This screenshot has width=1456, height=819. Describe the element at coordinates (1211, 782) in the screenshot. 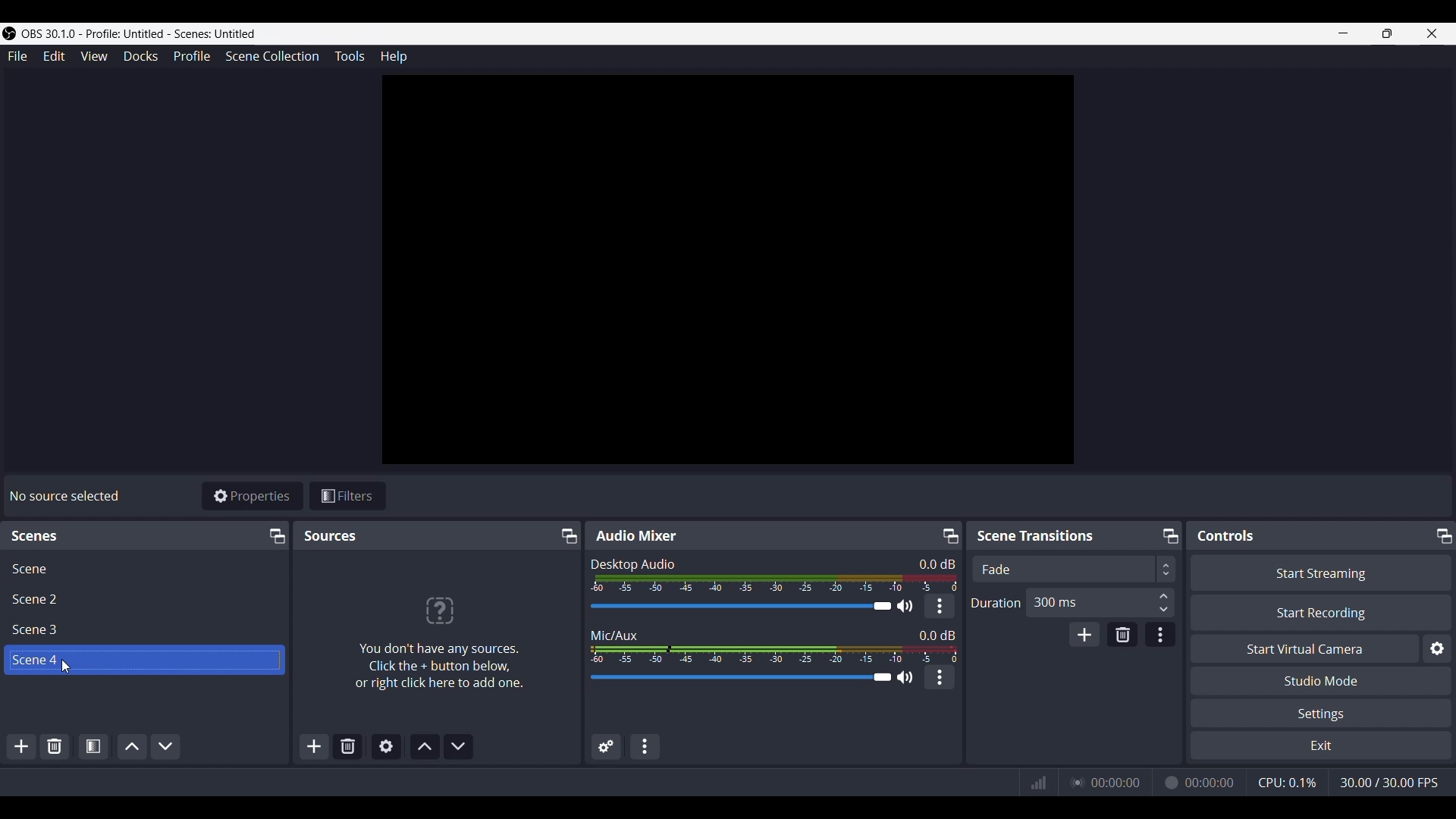

I see `Recording Timer` at that location.